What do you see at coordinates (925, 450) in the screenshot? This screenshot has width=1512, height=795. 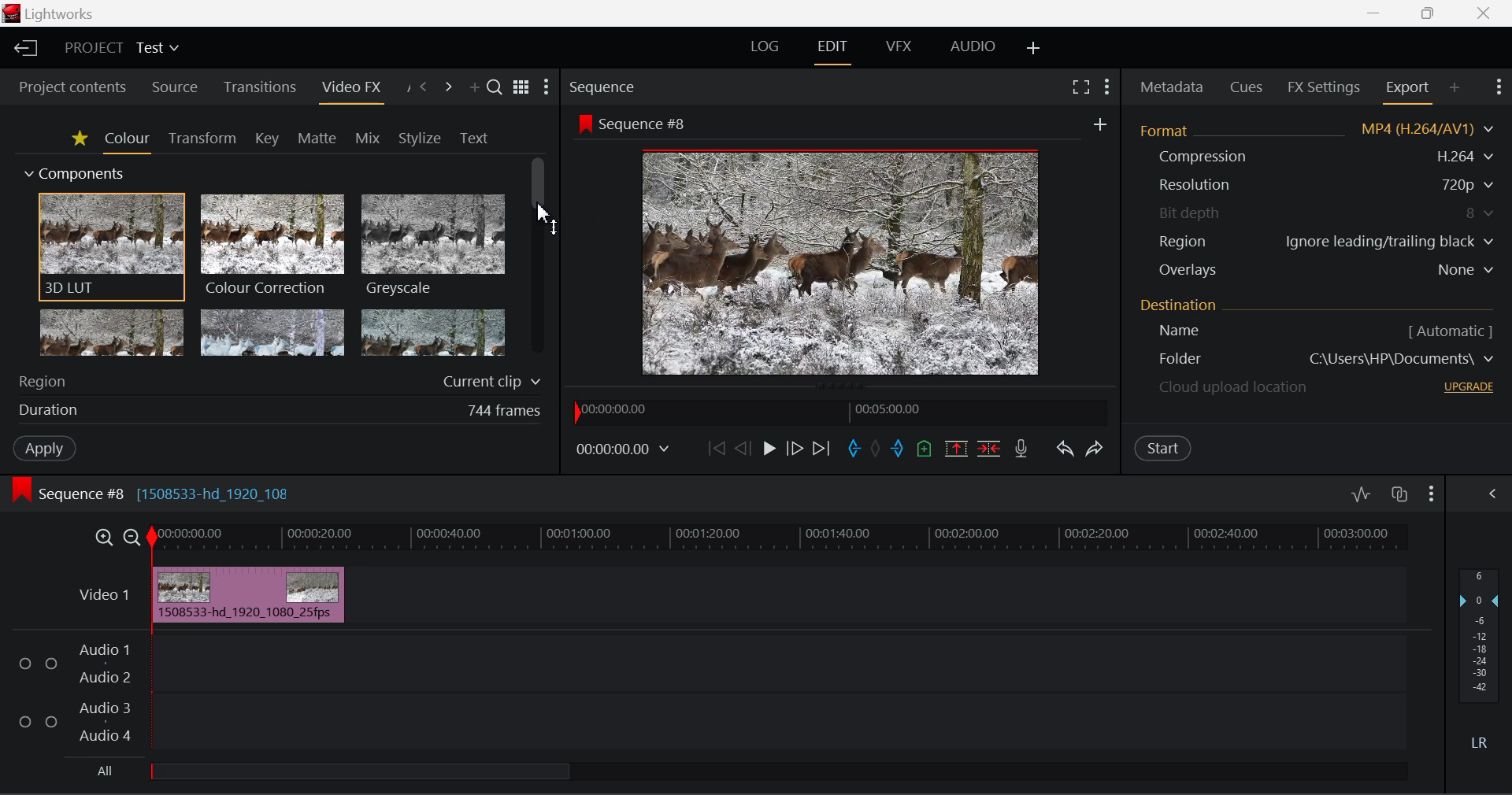 I see `Mark Cue` at bounding box center [925, 450].